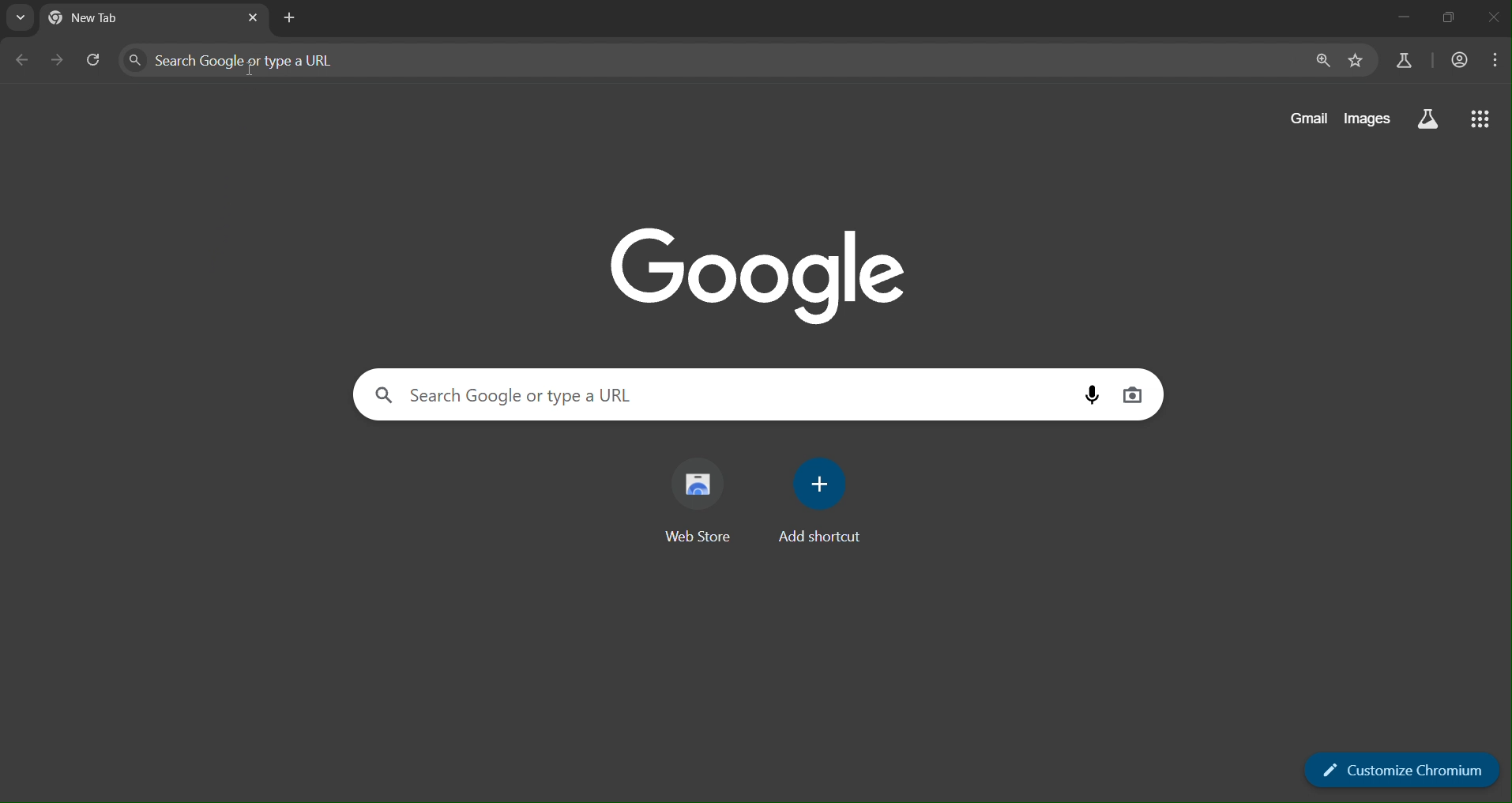  Describe the element at coordinates (59, 61) in the screenshot. I see `go forward one page` at that location.